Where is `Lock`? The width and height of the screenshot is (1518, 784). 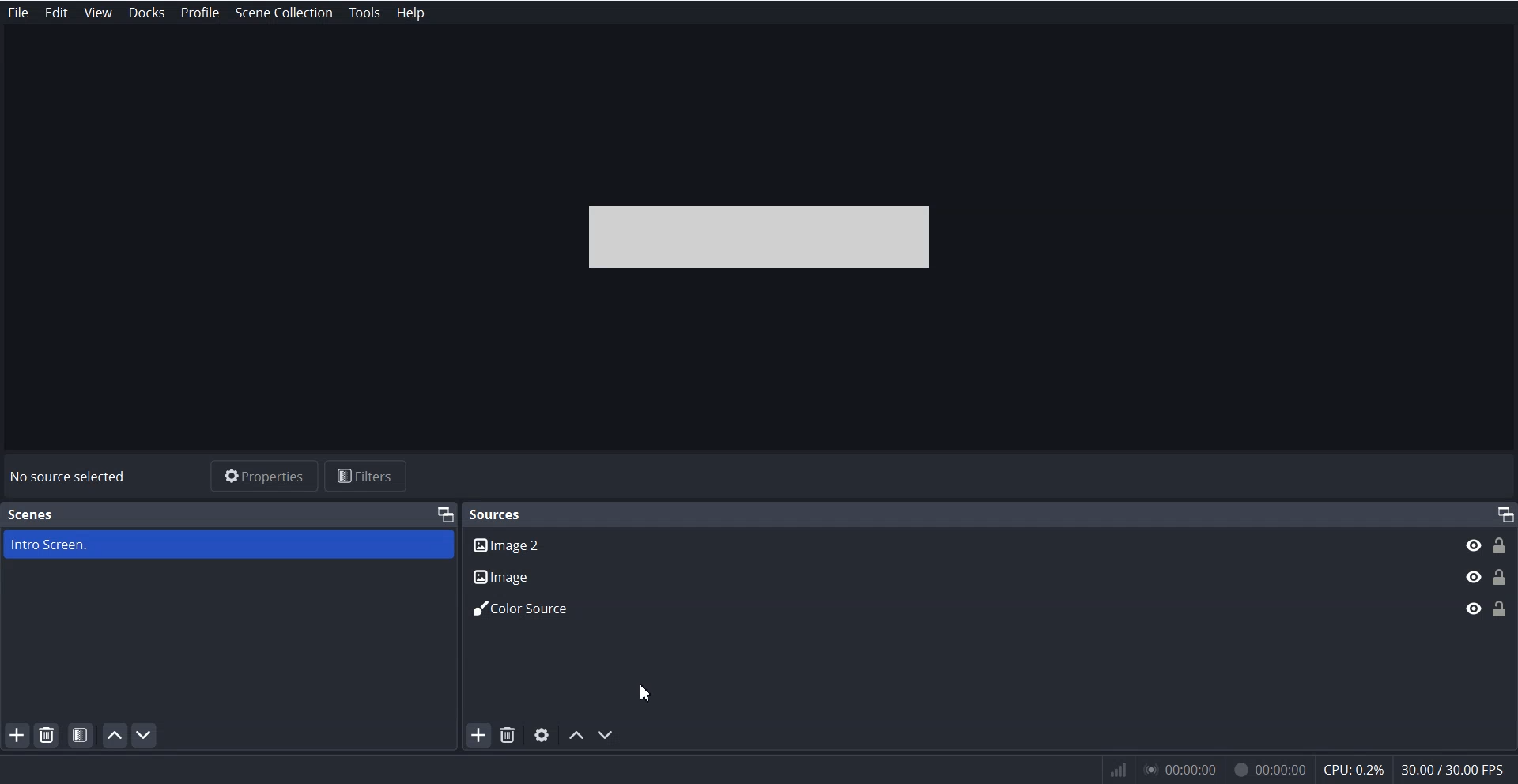 Lock is located at coordinates (1501, 575).